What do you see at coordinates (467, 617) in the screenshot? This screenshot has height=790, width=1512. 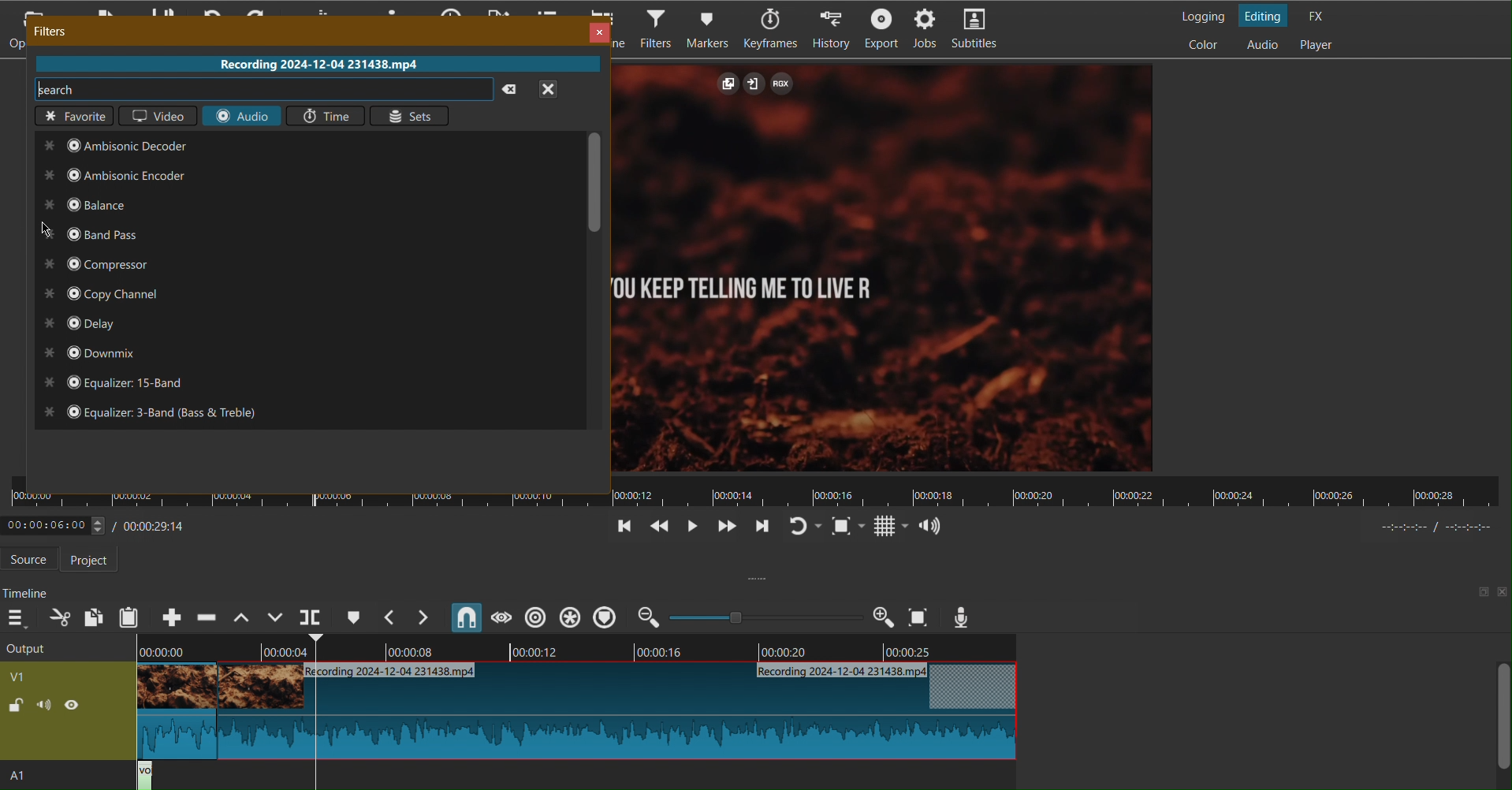 I see `Snap` at bounding box center [467, 617].